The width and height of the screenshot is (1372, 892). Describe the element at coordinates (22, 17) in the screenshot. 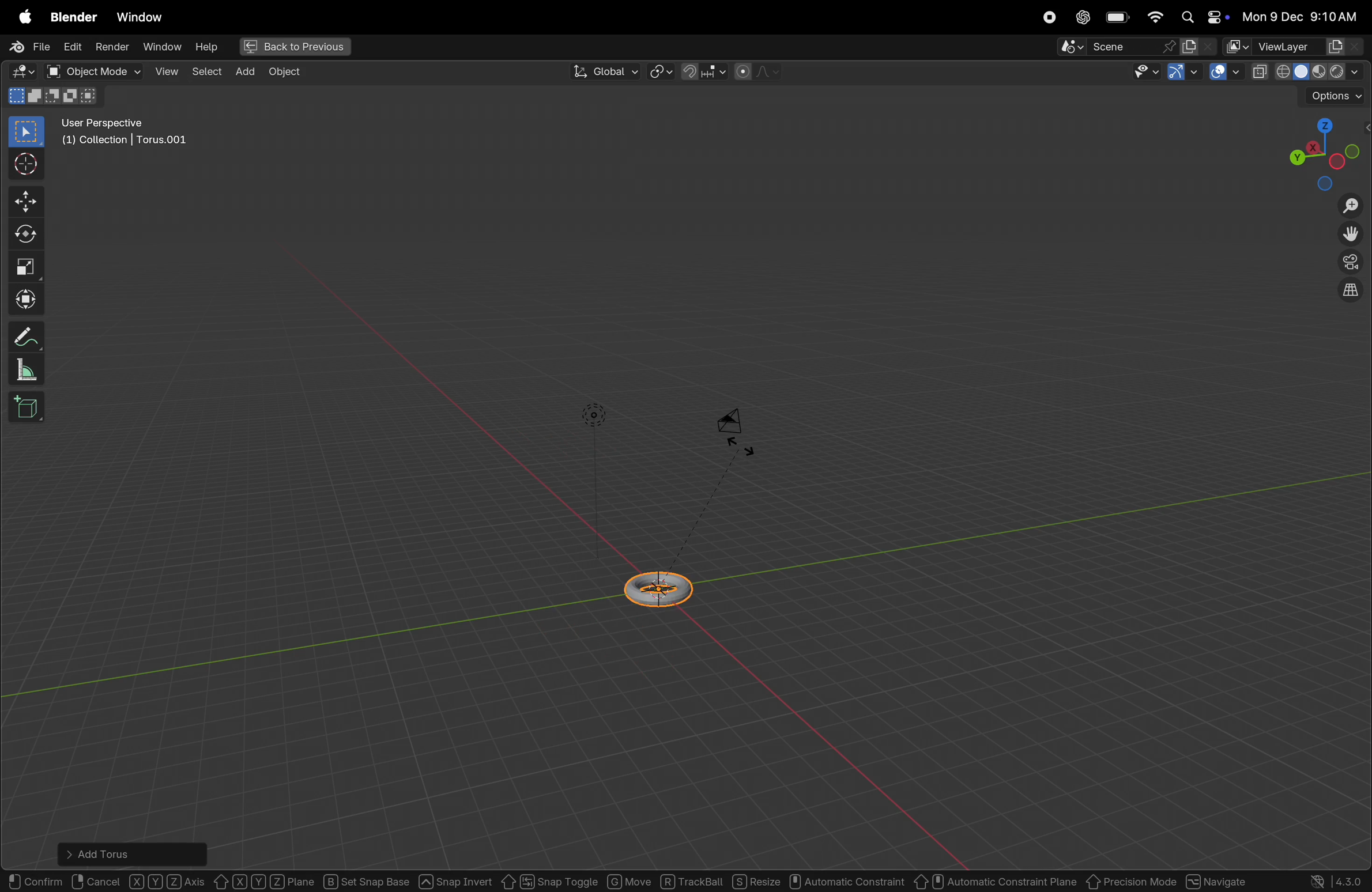

I see `apple menu` at that location.